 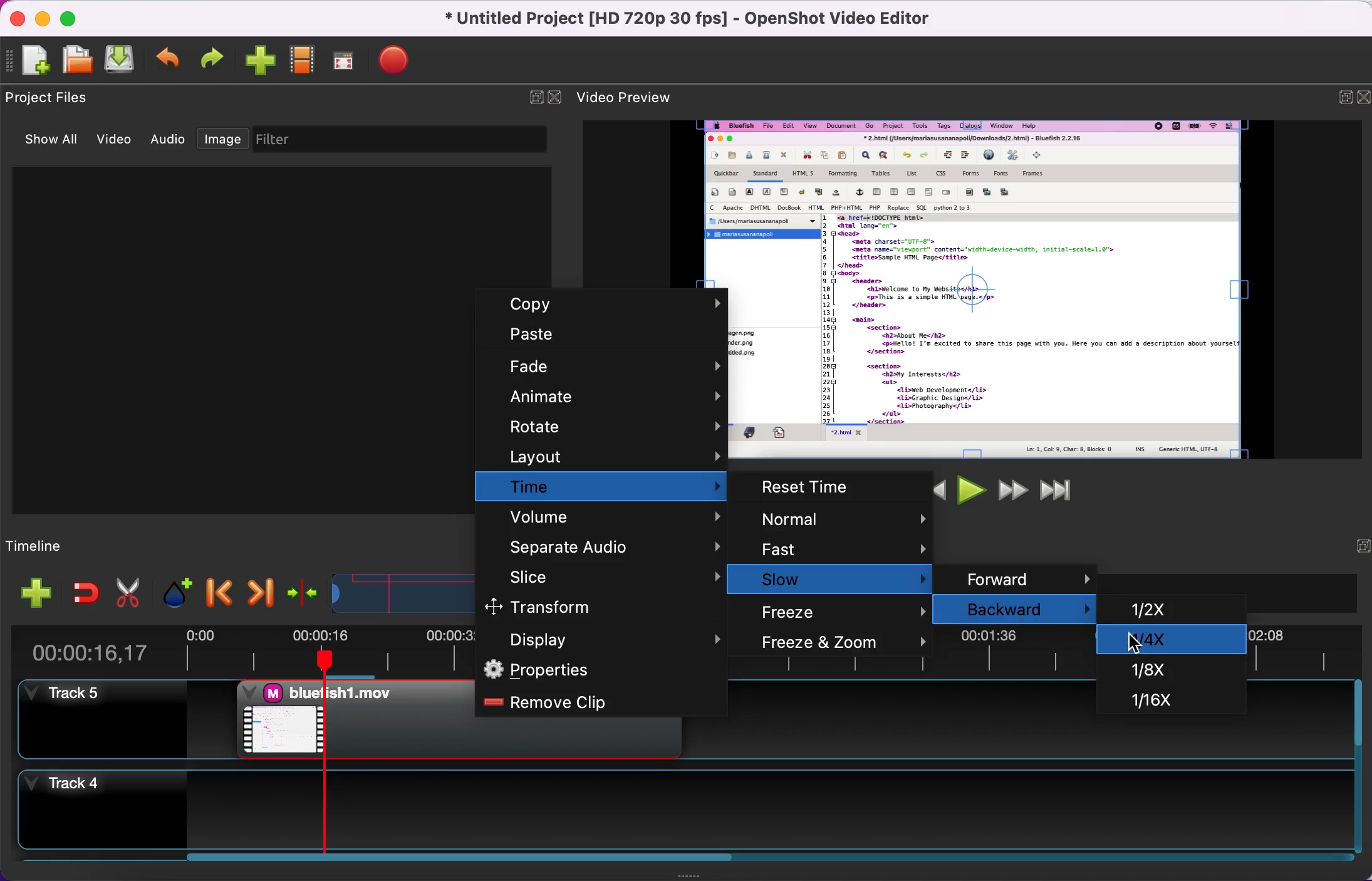 I want to click on import files, so click(x=261, y=62).